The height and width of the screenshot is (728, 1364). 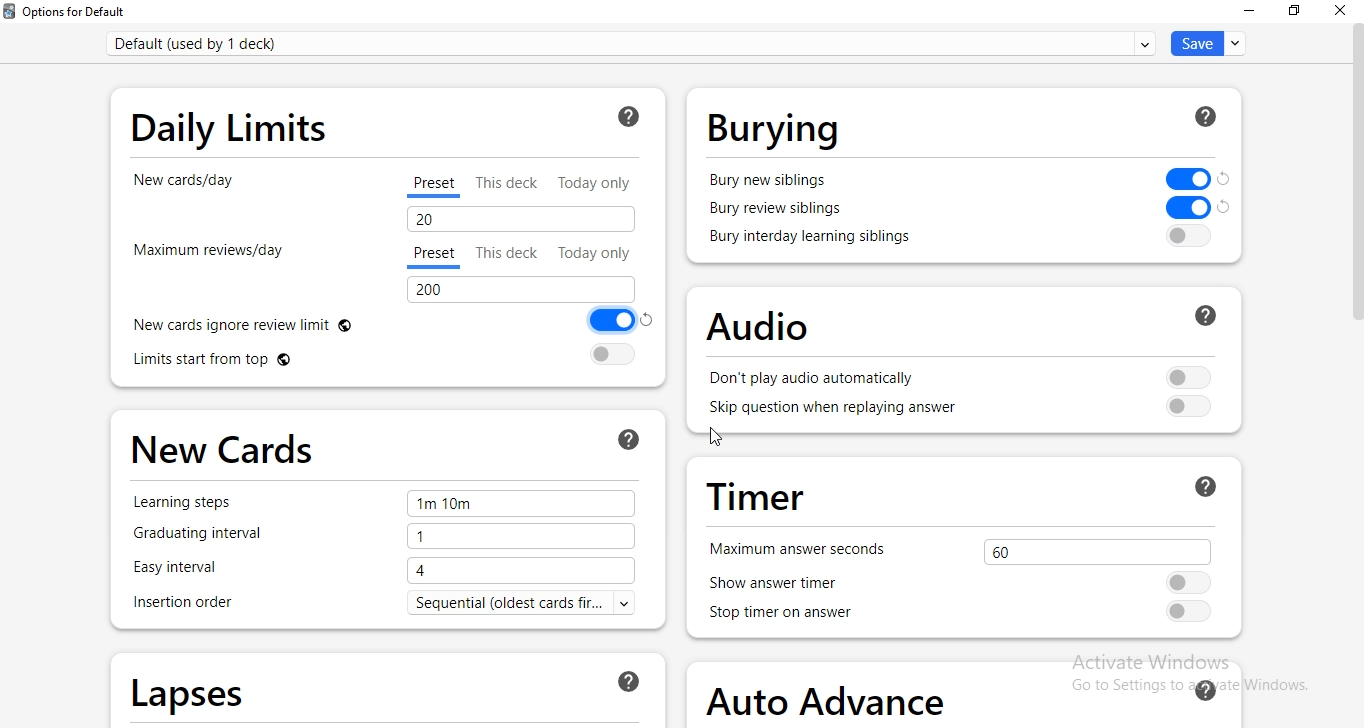 What do you see at coordinates (812, 238) in the screenshot?
I see `bury interday learning siblings` at bounding box center [812, 238].